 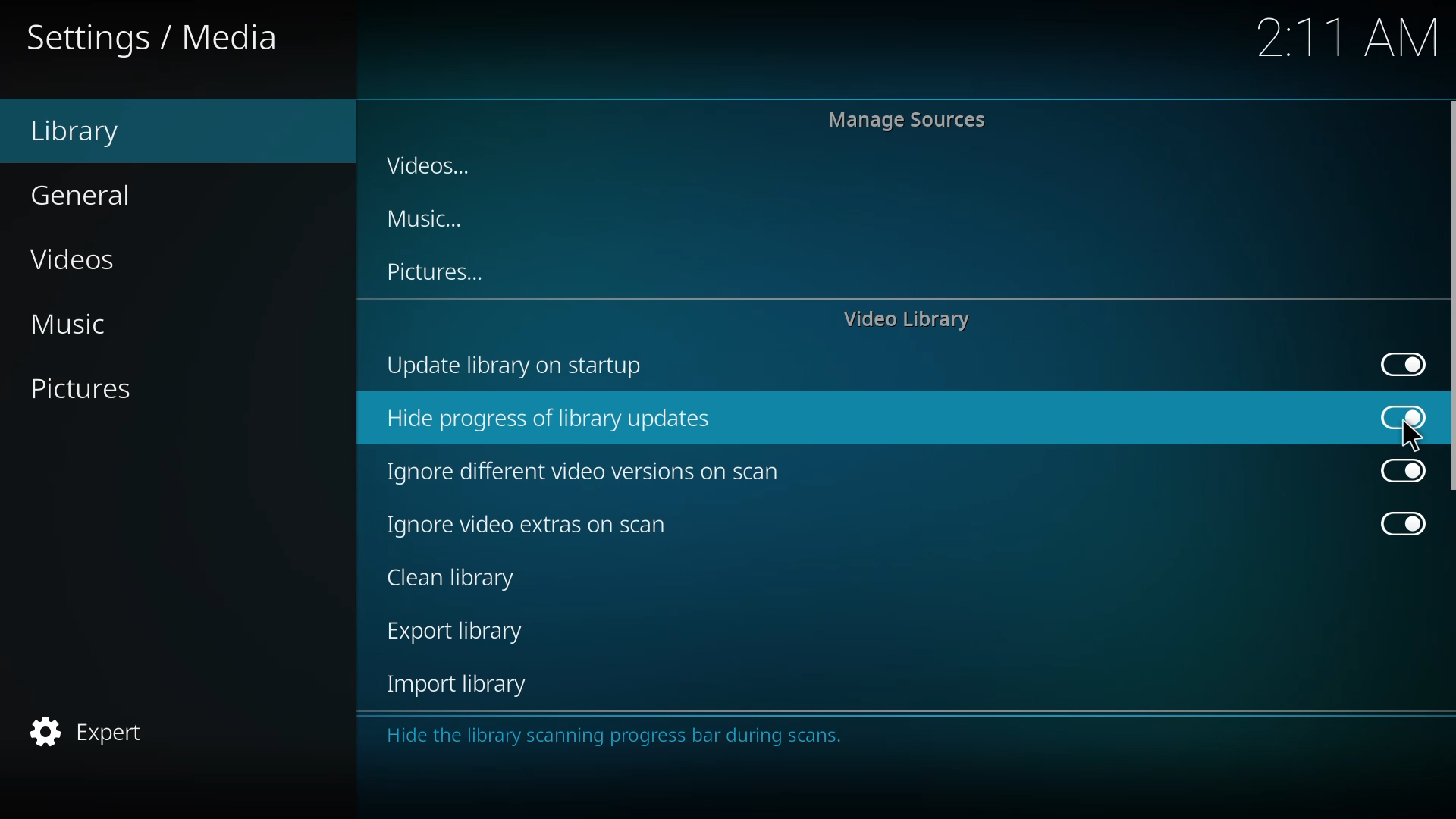 What do you see at coordinates (441, 272) in the screenshot?
I see `pictures` at bounding box center [441, 272].